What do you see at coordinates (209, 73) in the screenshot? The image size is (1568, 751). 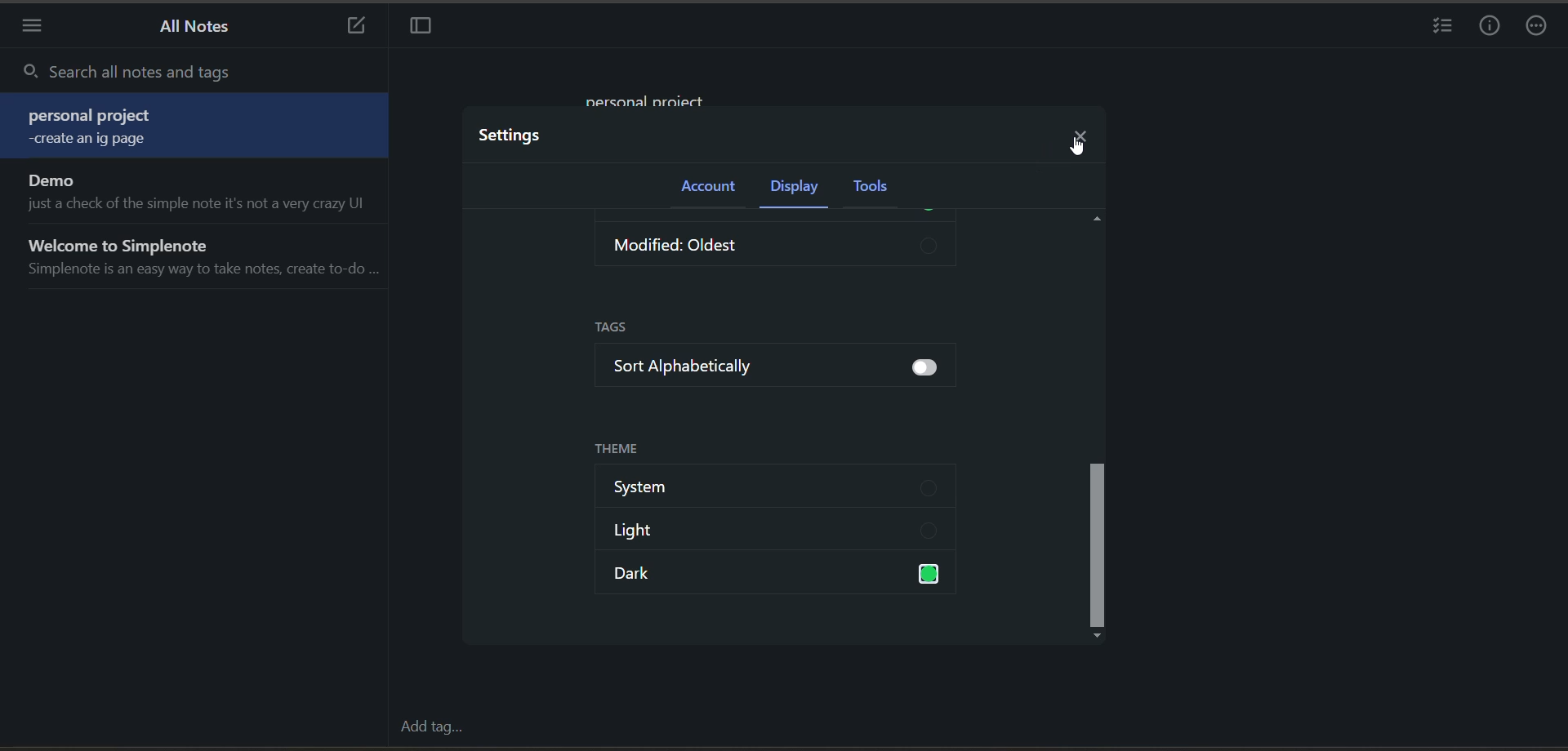 I see `search all notes and tags` at bounding box center [209, 73].